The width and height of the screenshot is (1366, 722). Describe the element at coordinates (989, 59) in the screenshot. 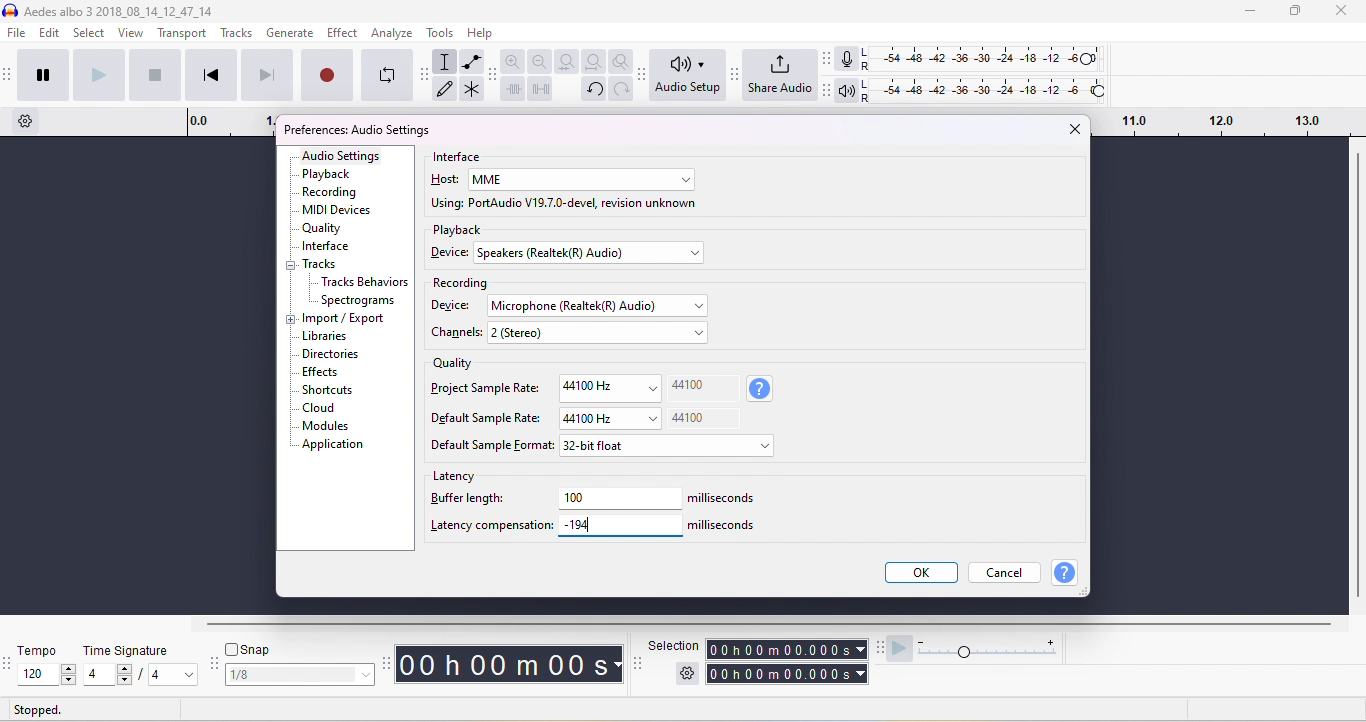

I see `recording level` at that location.